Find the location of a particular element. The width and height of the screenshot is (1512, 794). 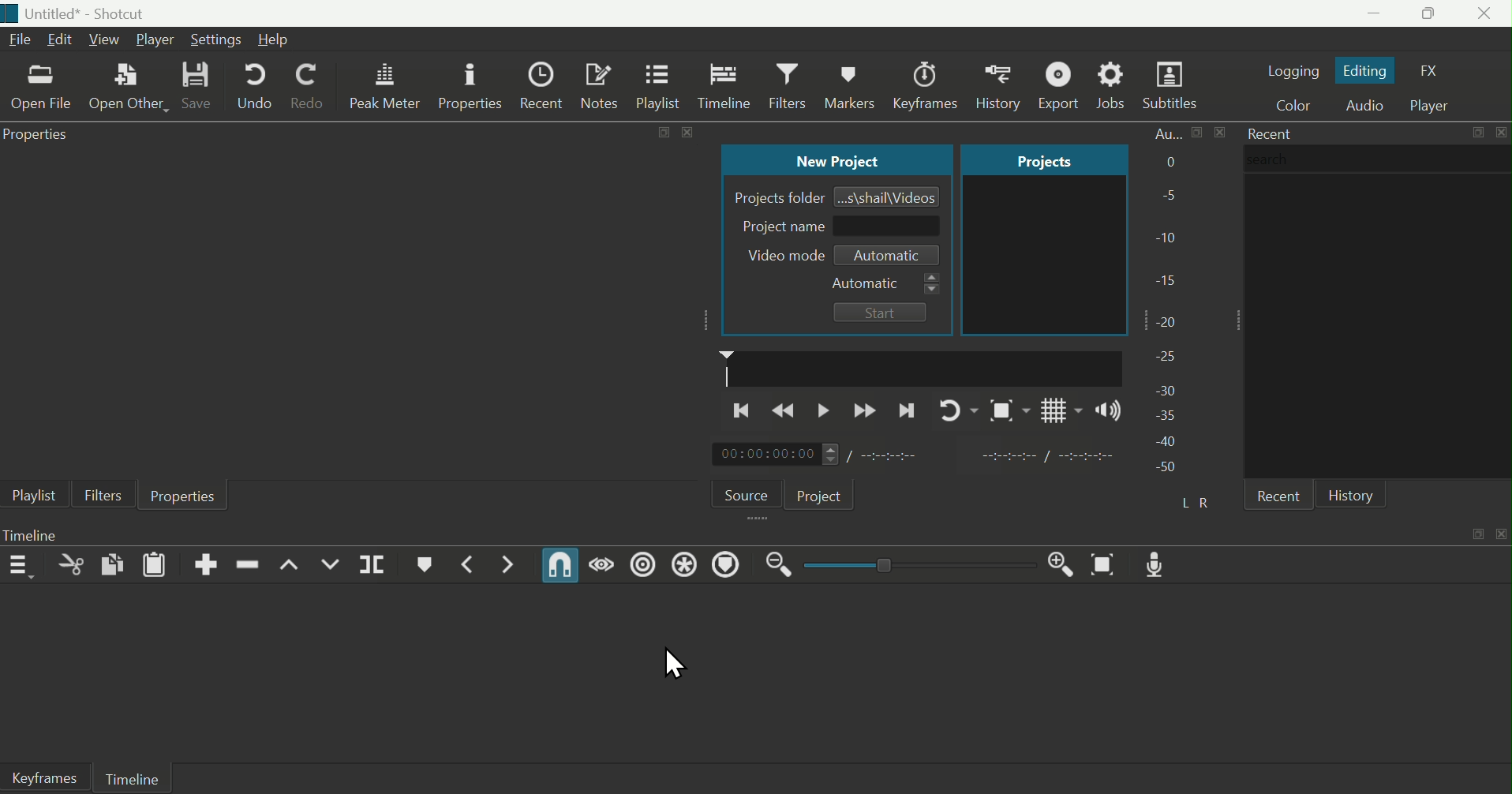

Source is located at coordinates (743, 492).